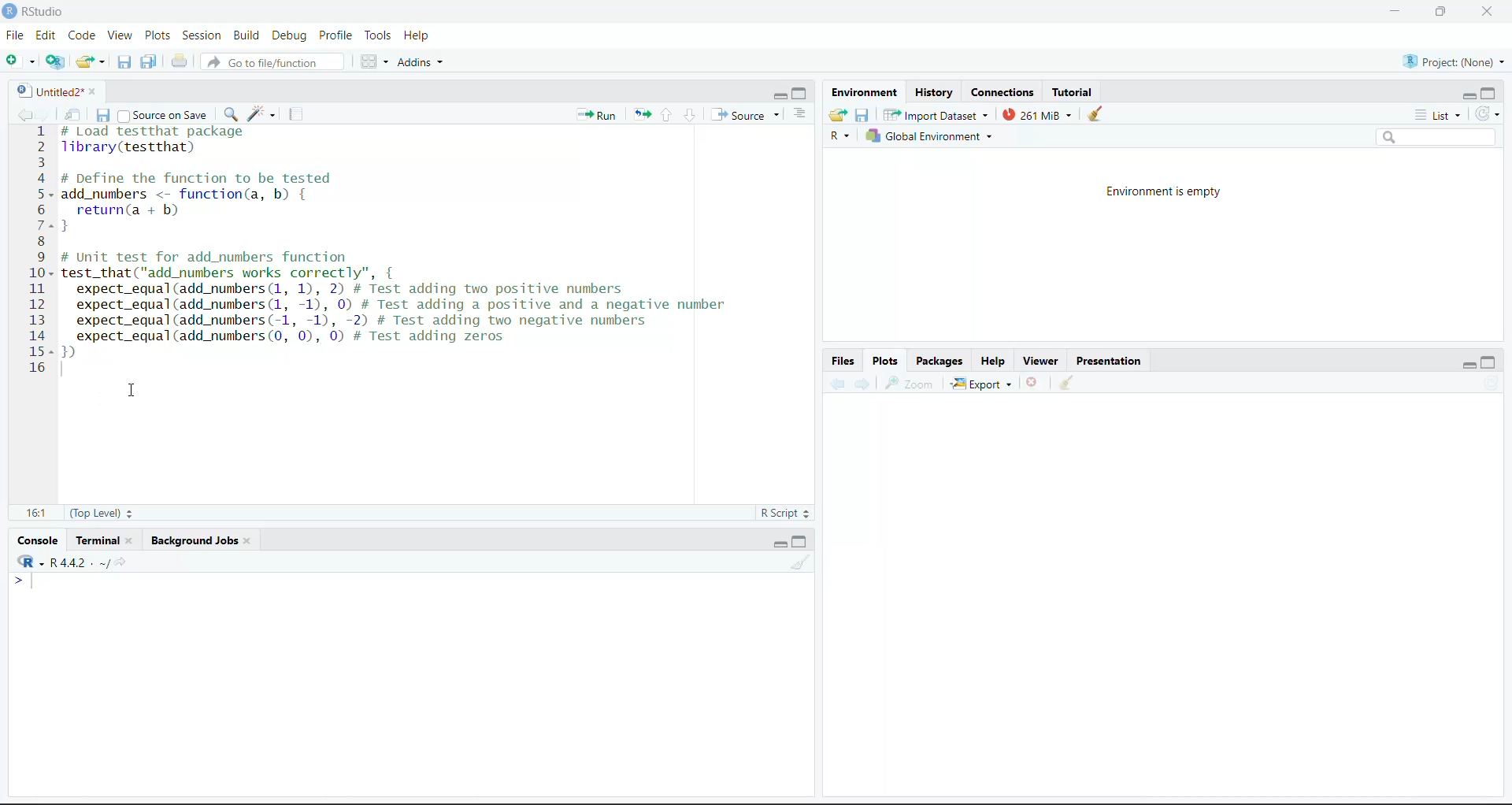 This screenshot has height=805, width=1512. Describe the element at coordinates (230, 113) in the screenshot. I see `find` at that location.